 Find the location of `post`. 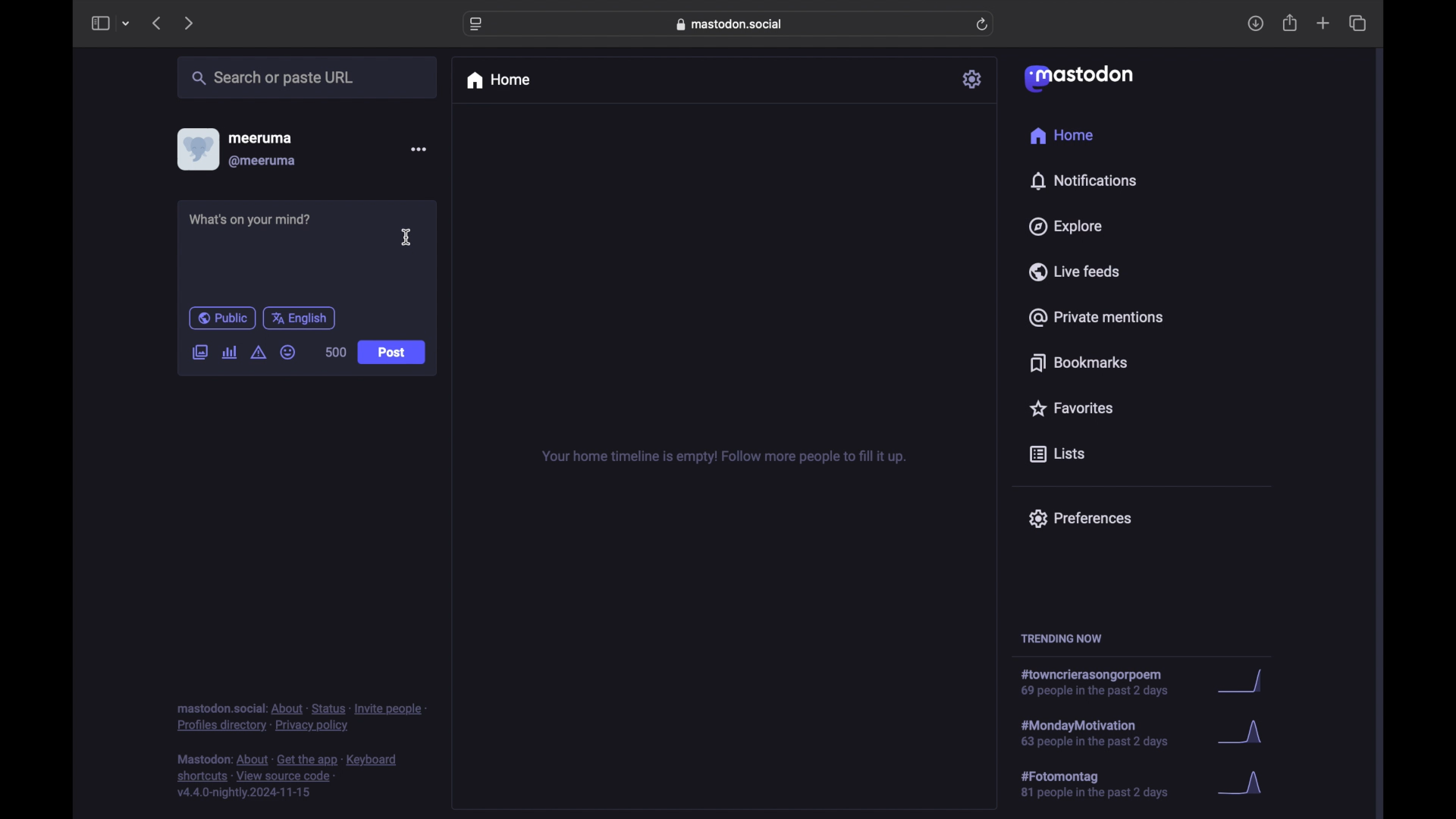

post is located at coordinates (395, 353).